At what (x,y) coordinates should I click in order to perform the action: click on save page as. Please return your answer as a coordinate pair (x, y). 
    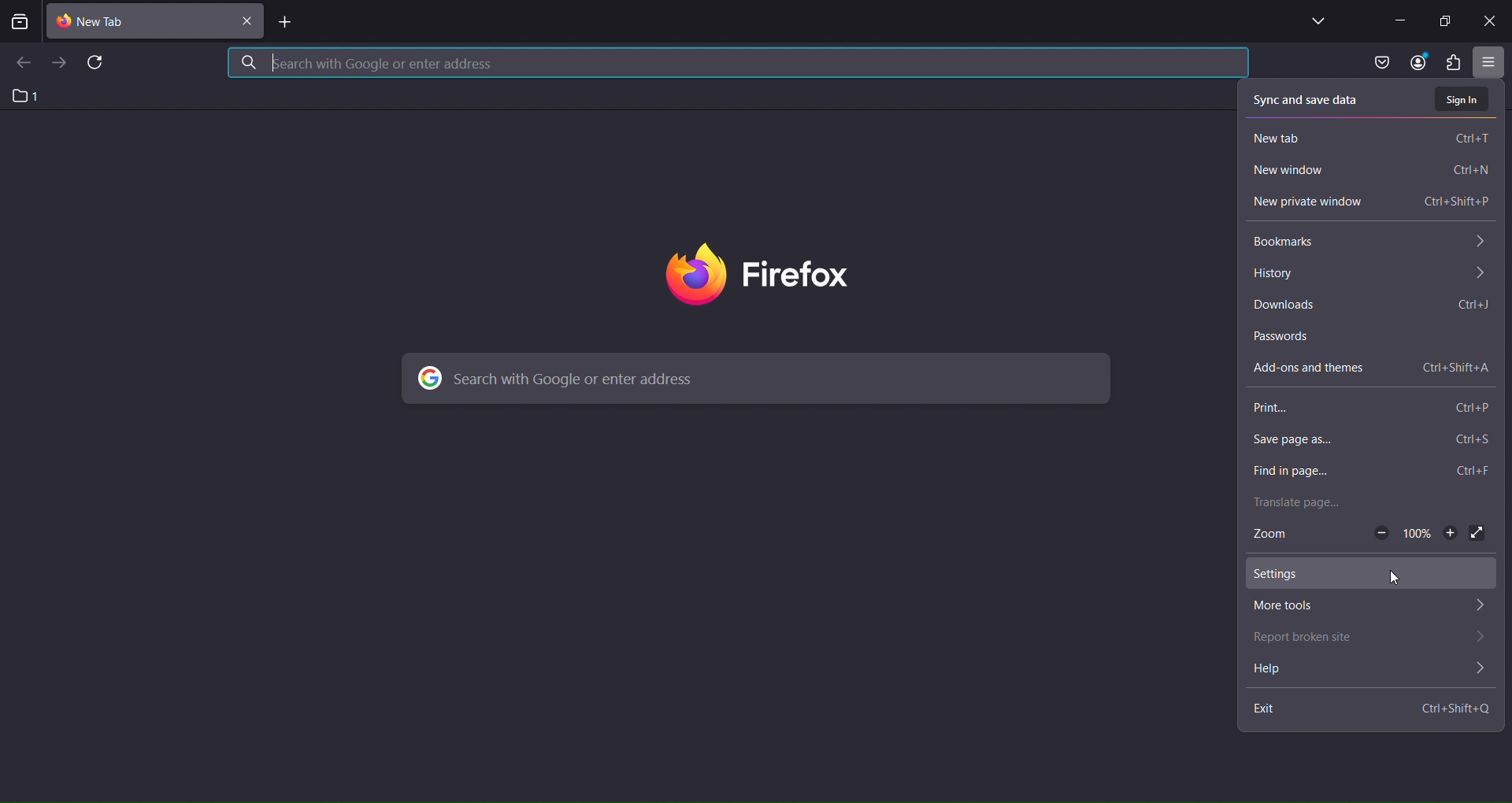
    Looking at the image, I should click on (1368, 442).